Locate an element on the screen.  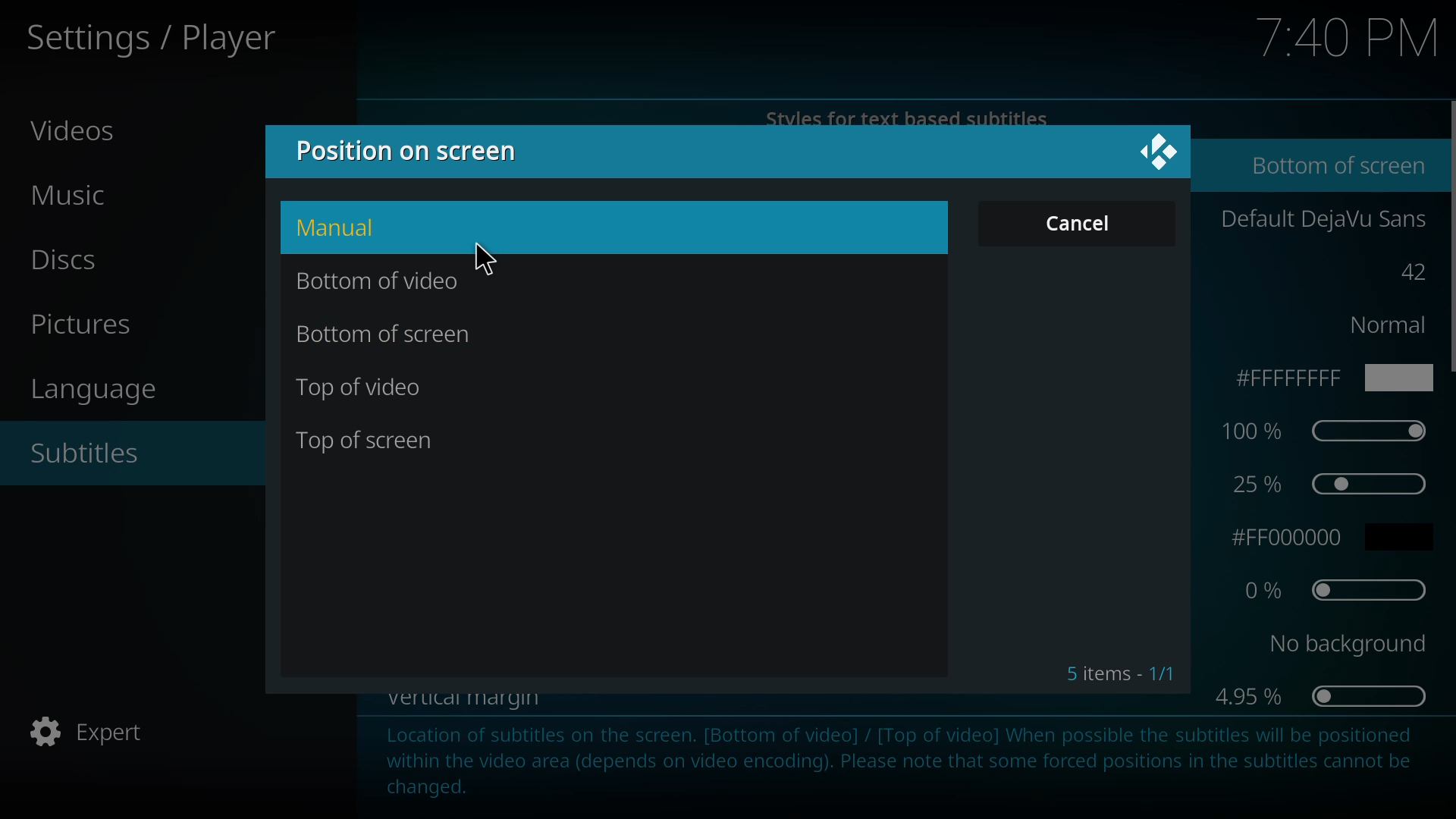
videos is located at coordinates (78, 133).